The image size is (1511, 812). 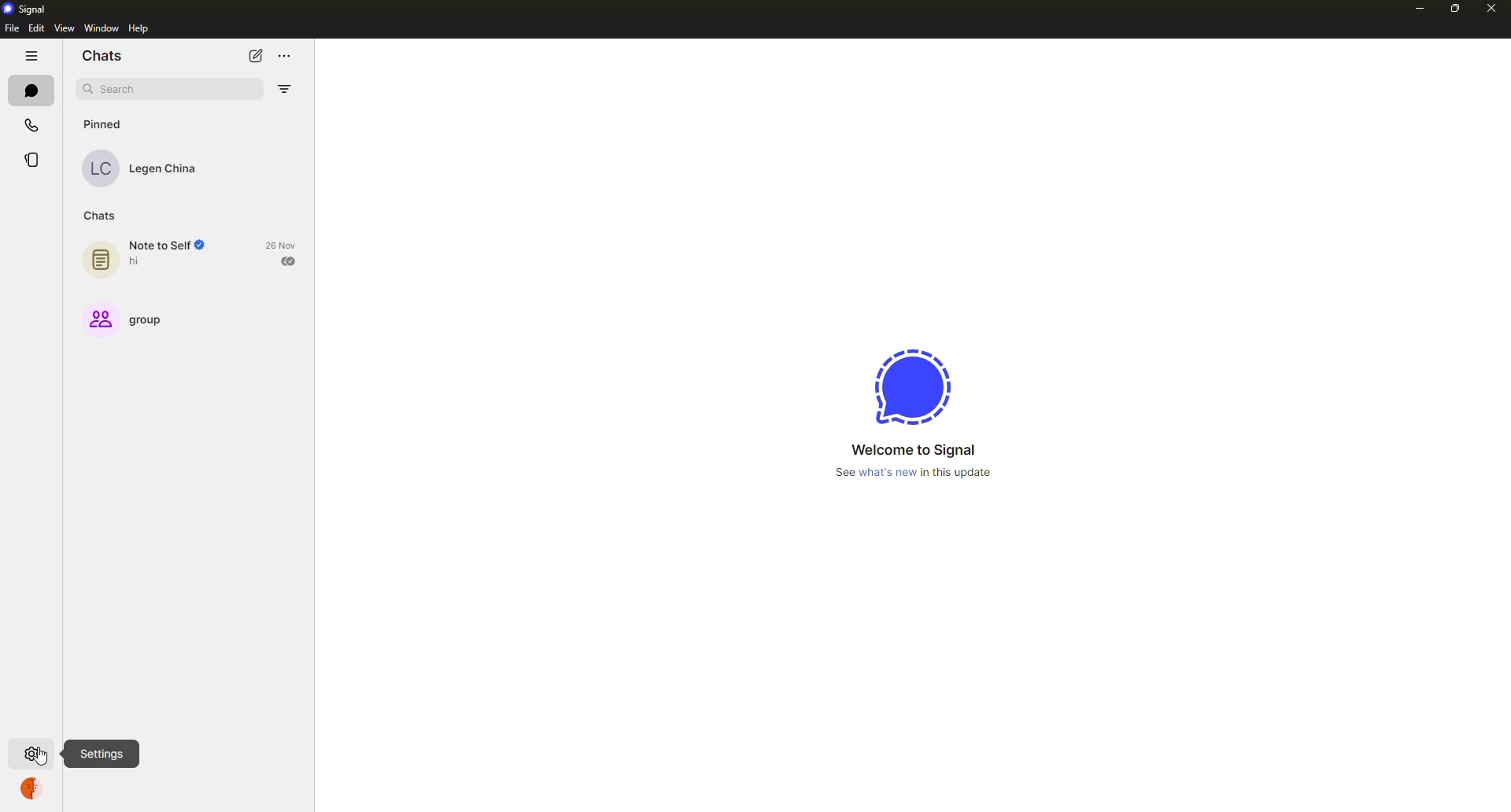 I want to click on calls, so click(x=33, y=124).